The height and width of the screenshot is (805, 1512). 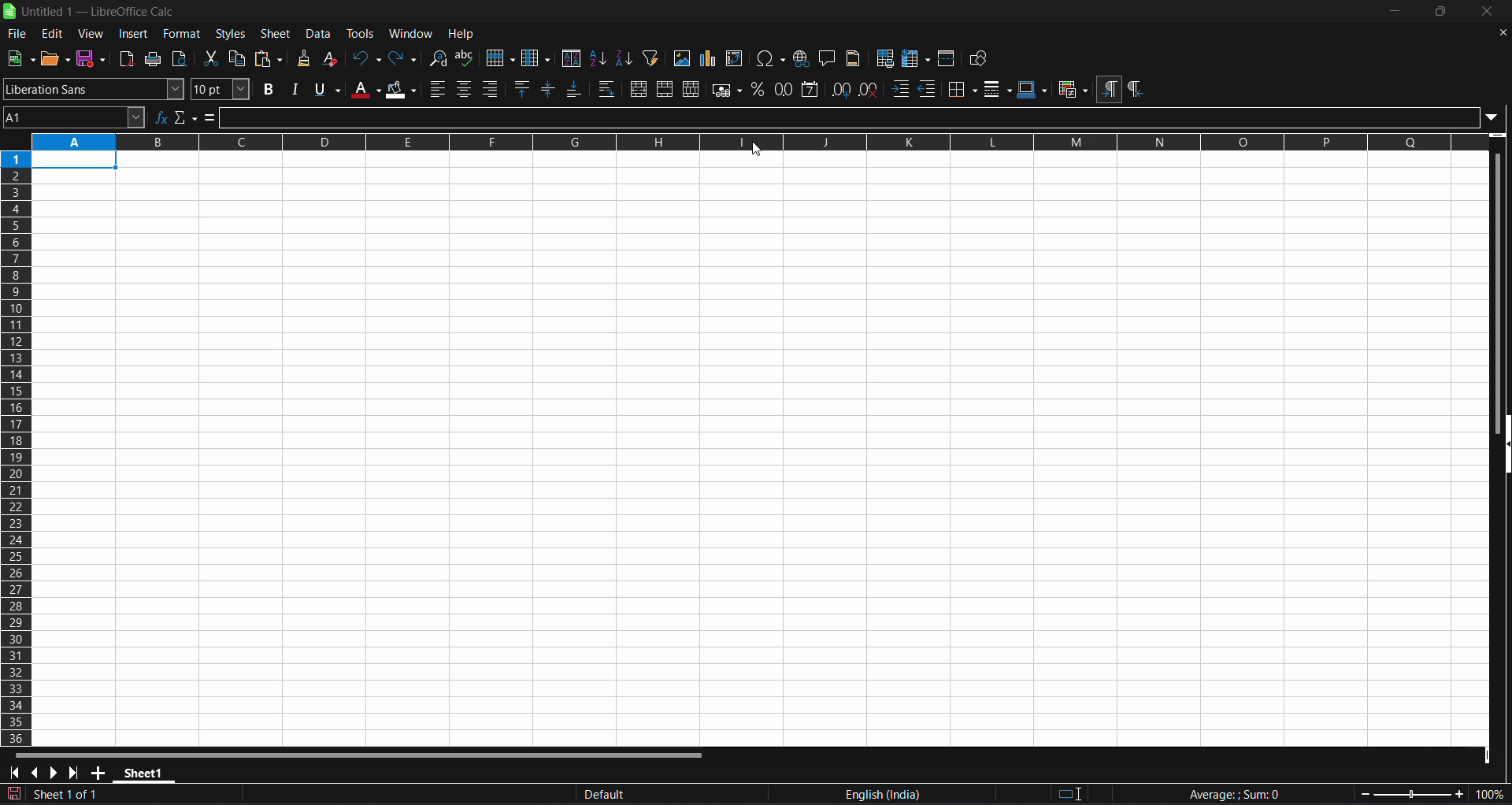 I want to click on name box, so click(x=75, y=117).